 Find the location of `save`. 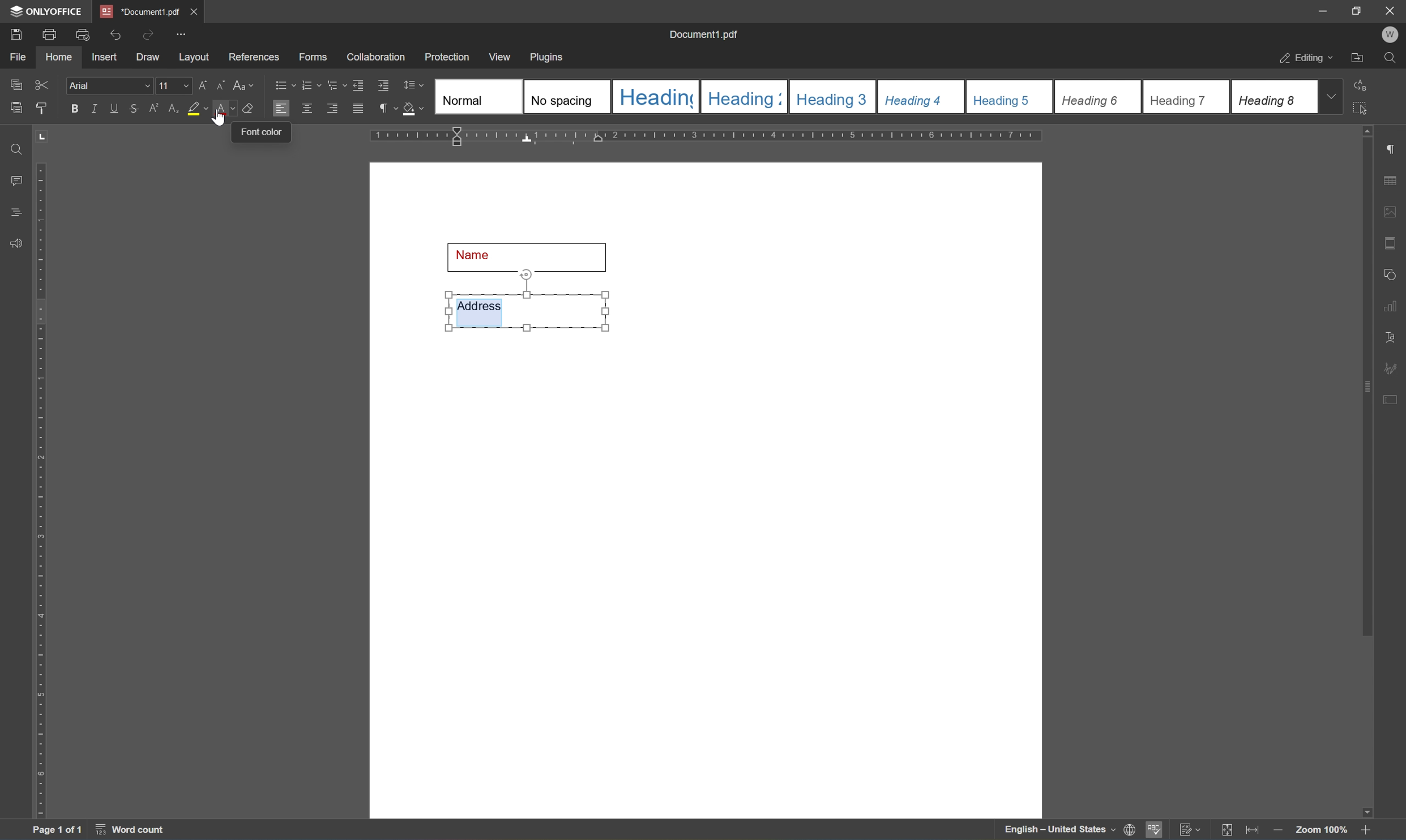

save is located at coordinates (16, 33).